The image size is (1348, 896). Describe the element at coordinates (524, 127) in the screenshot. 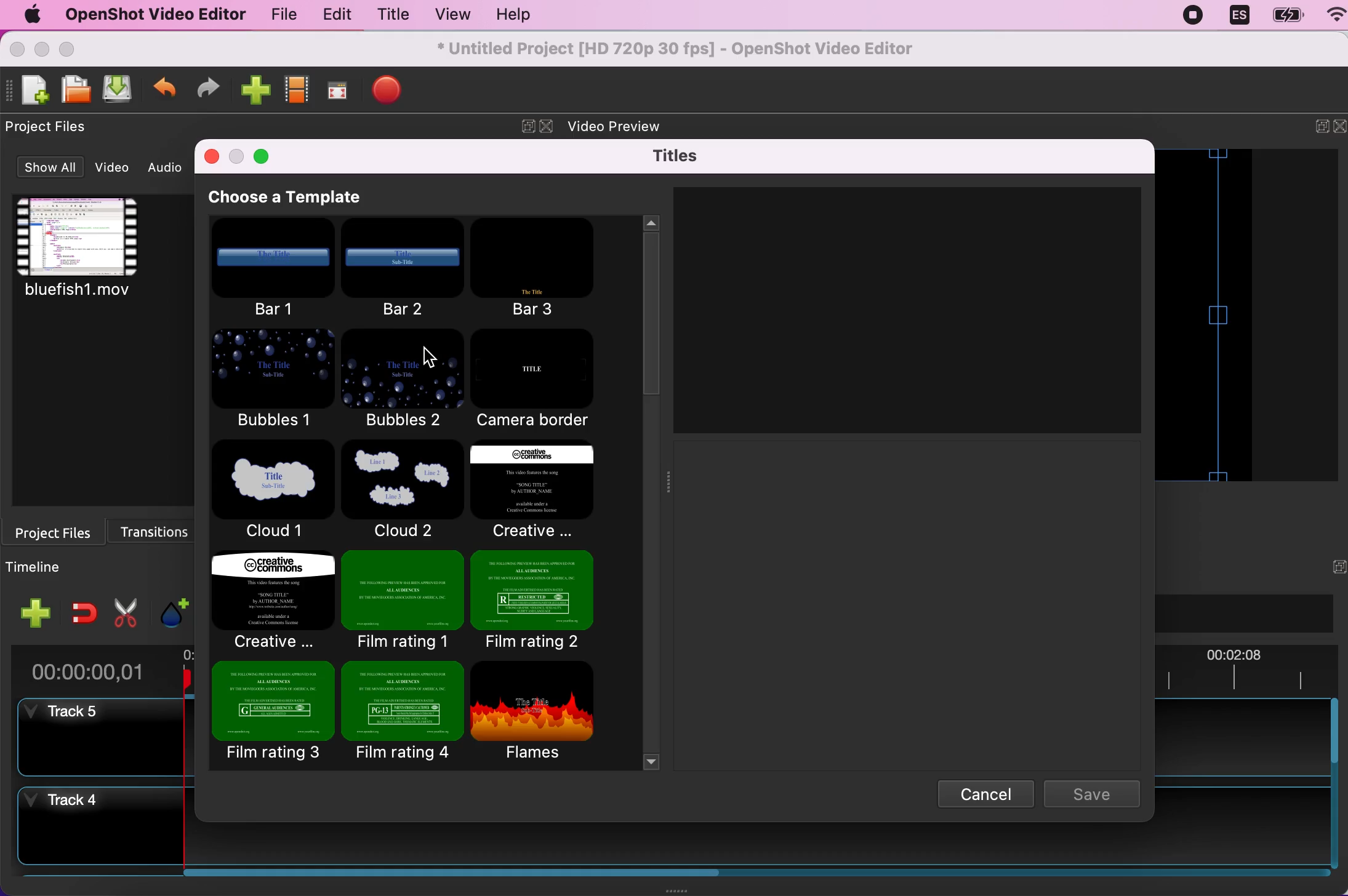

I see `expand/hide` at that location.